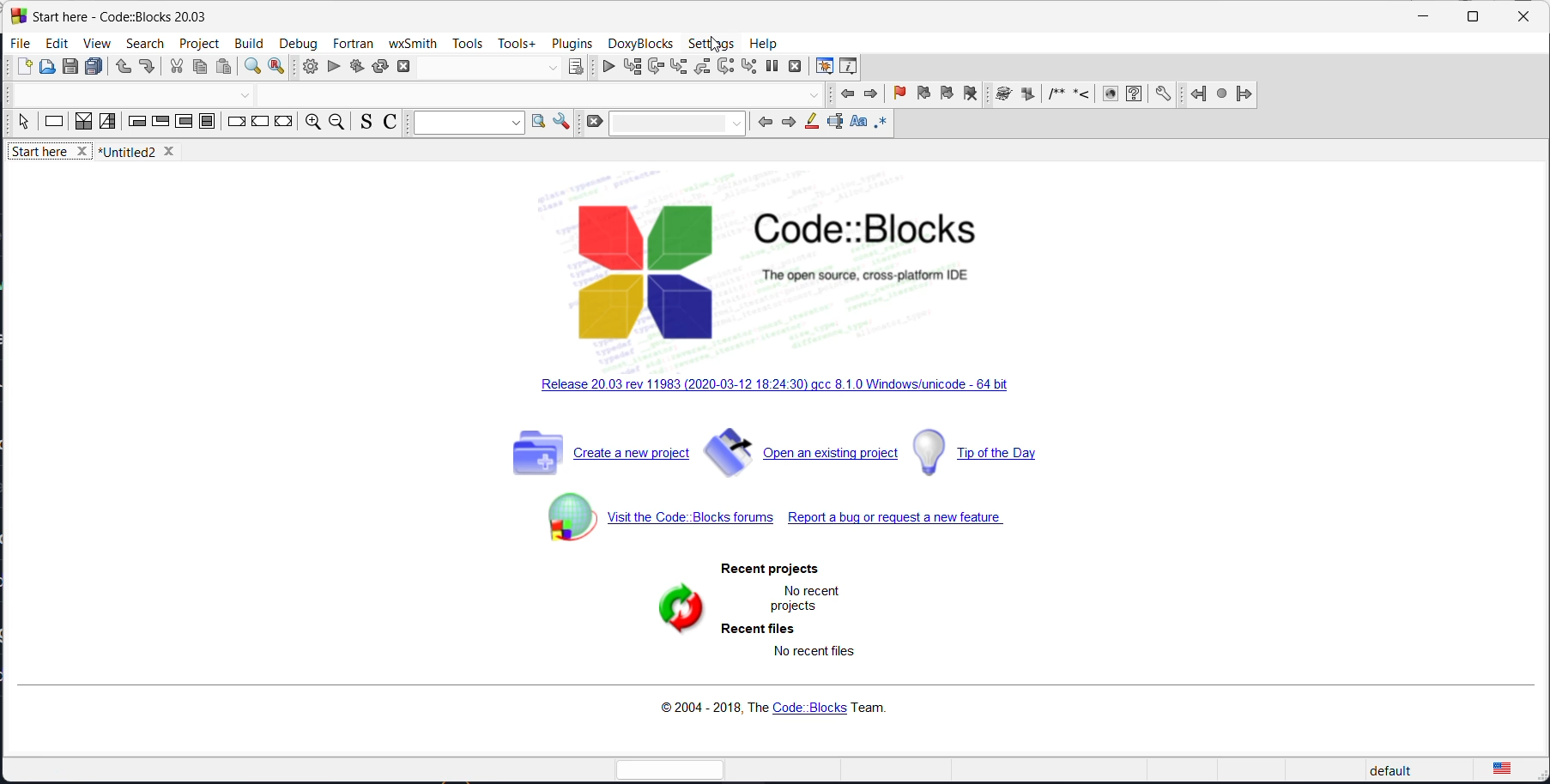 Image resolution: width=1550 pixels, height=784 pixels. I want to click on block instruction, so click(209, 124).